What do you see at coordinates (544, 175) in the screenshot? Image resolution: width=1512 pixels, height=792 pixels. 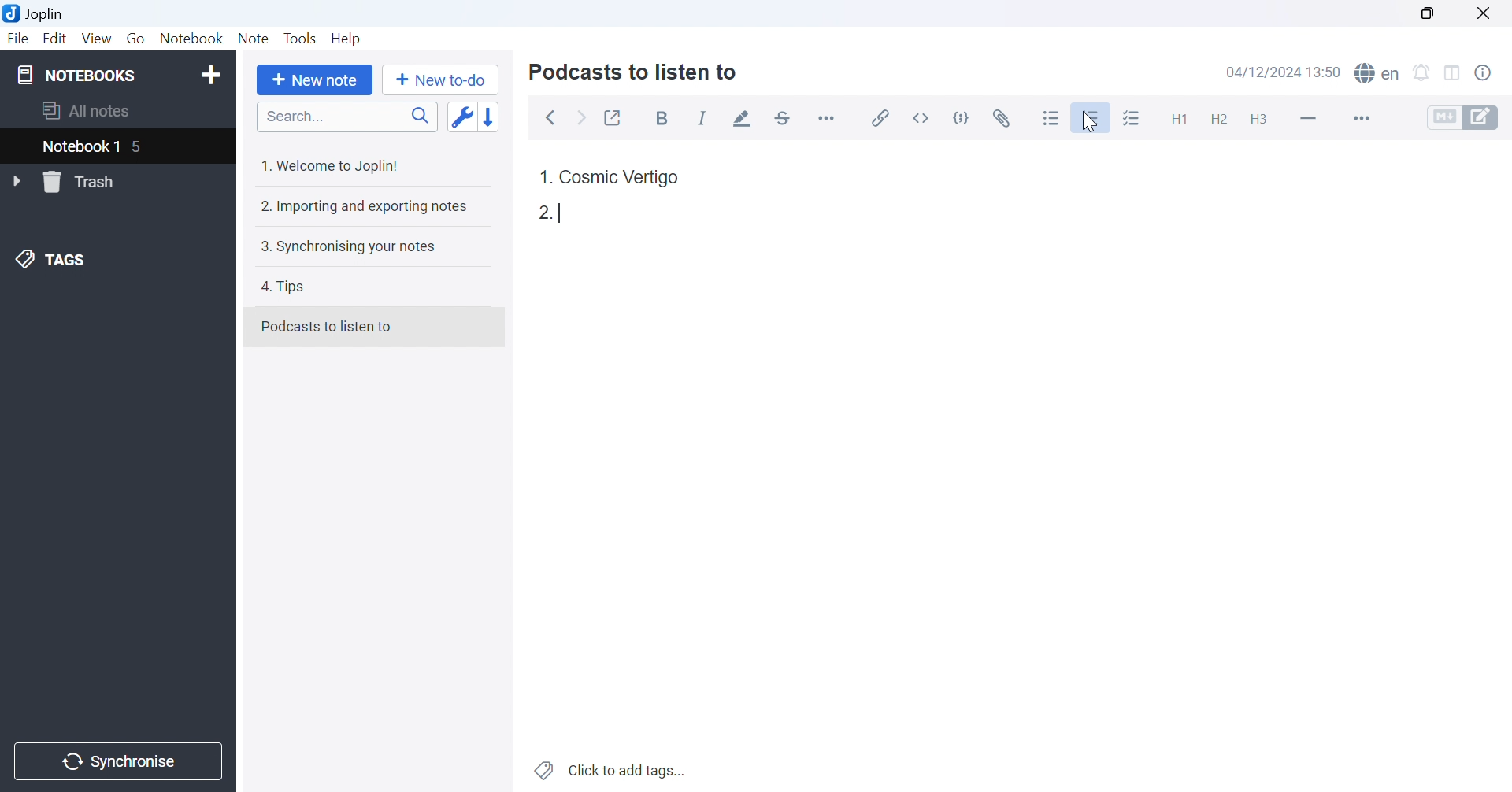 I see `1.` at bounding box center [544, 175].